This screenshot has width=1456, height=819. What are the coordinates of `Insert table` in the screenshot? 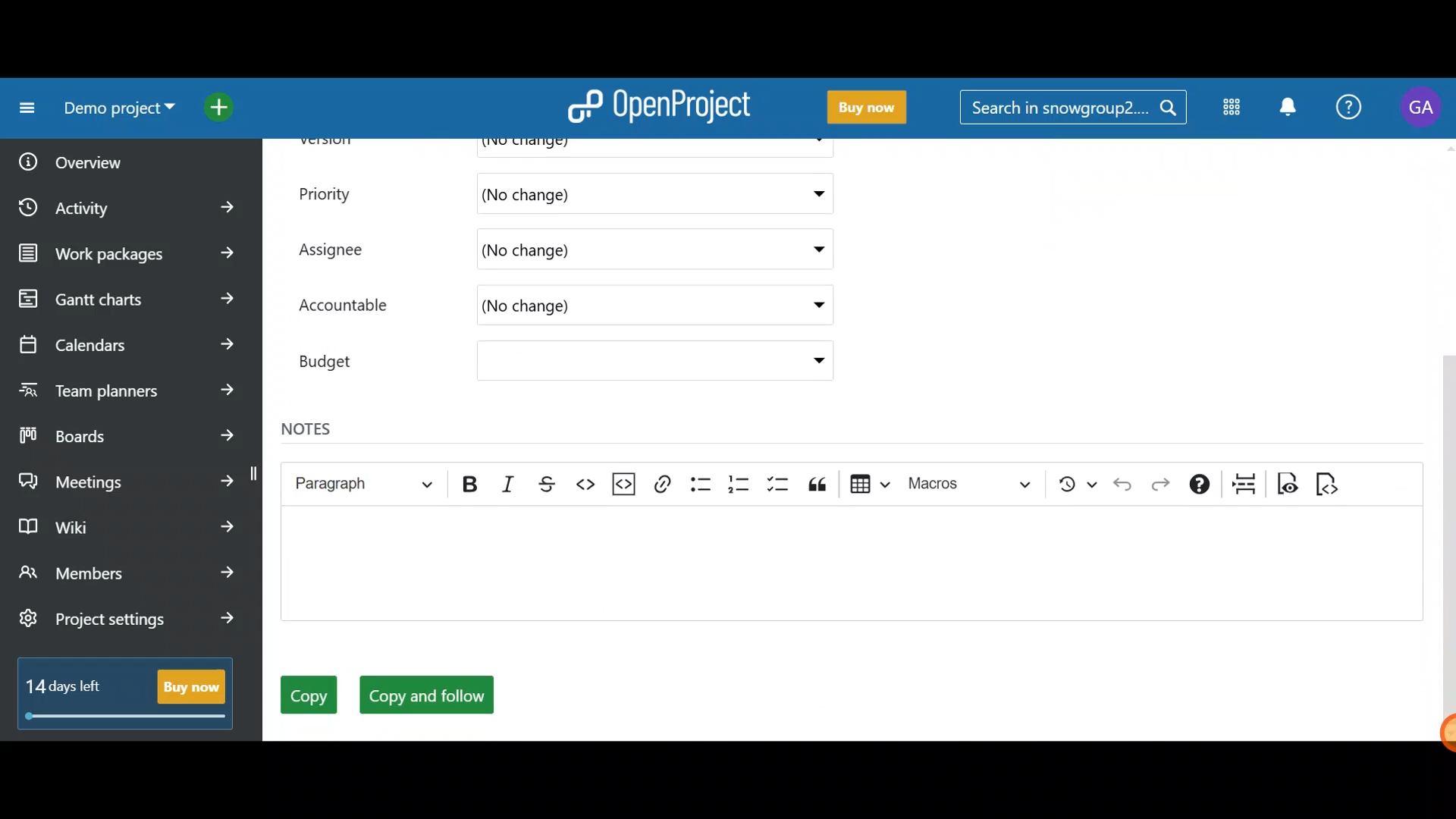 It's located at (868, 483).